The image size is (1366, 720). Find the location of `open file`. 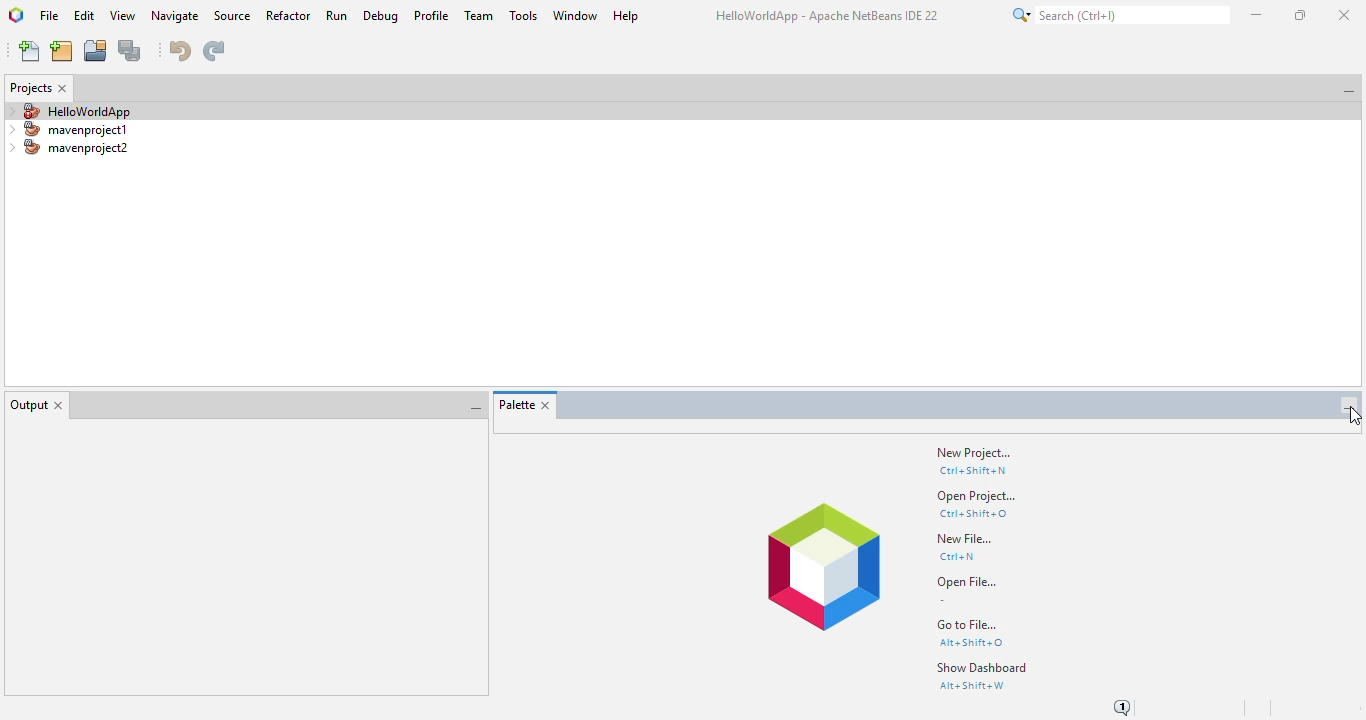

open file is located at coordinates (969, 582).